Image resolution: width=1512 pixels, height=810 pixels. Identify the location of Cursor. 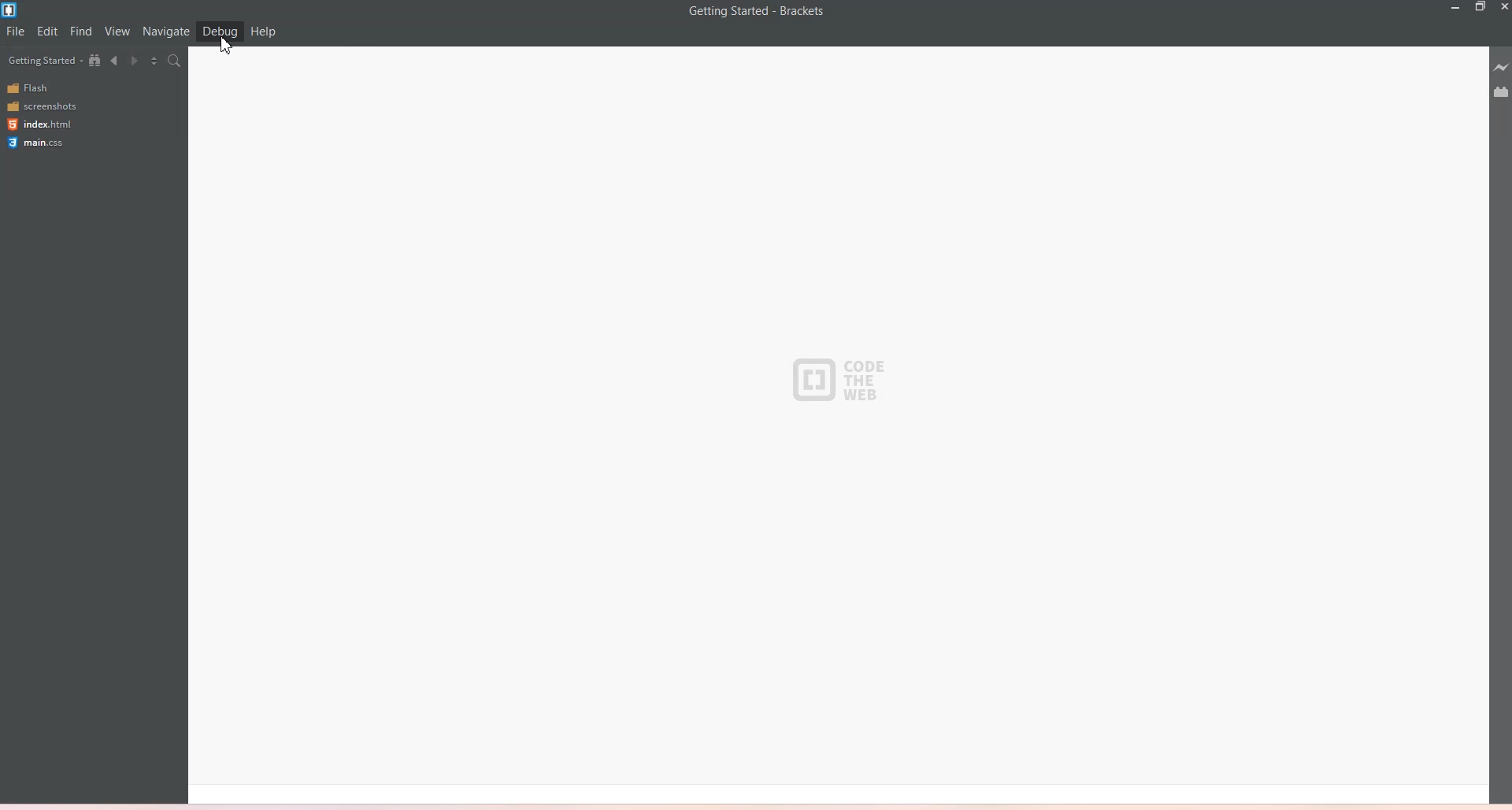
(227, 48).